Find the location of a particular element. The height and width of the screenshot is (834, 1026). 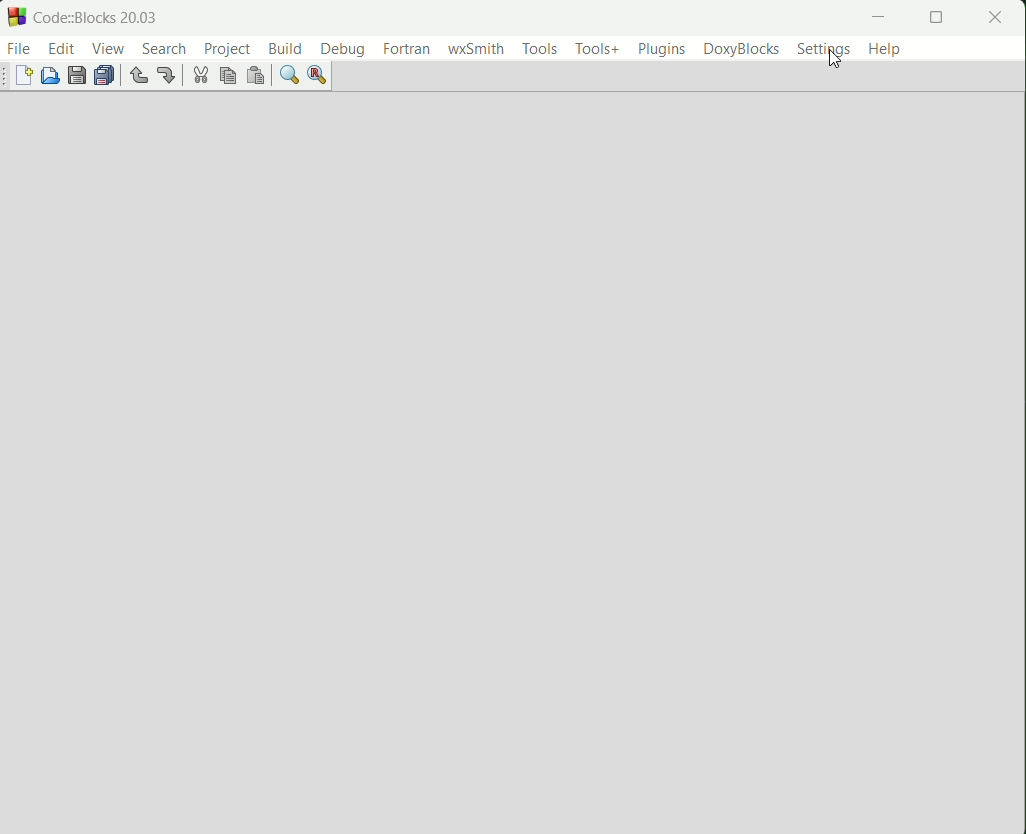

copy is located at coordinates (227, 77).